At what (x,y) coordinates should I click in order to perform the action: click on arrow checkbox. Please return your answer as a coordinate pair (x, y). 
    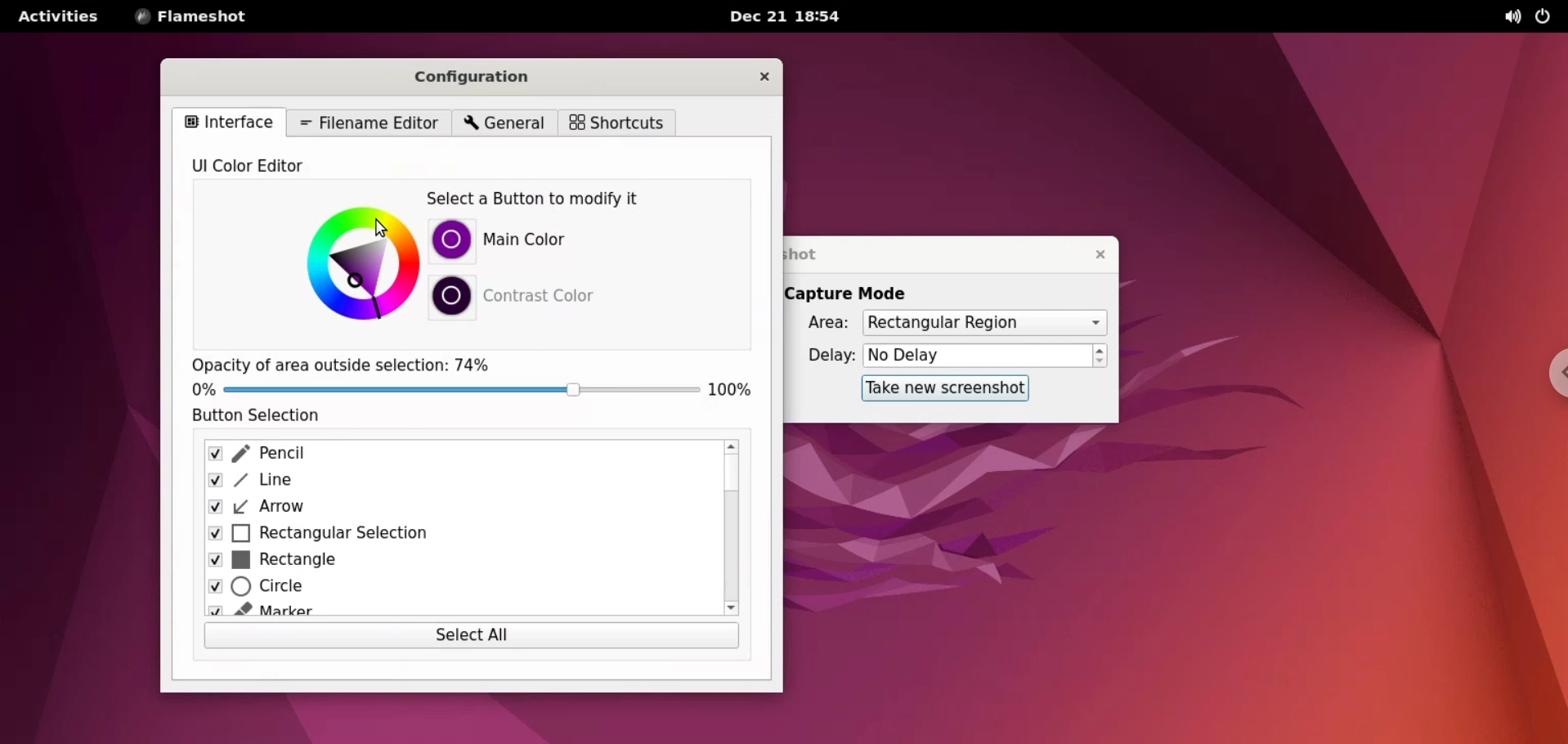
    Looking at the image, I should click on (450, 509).